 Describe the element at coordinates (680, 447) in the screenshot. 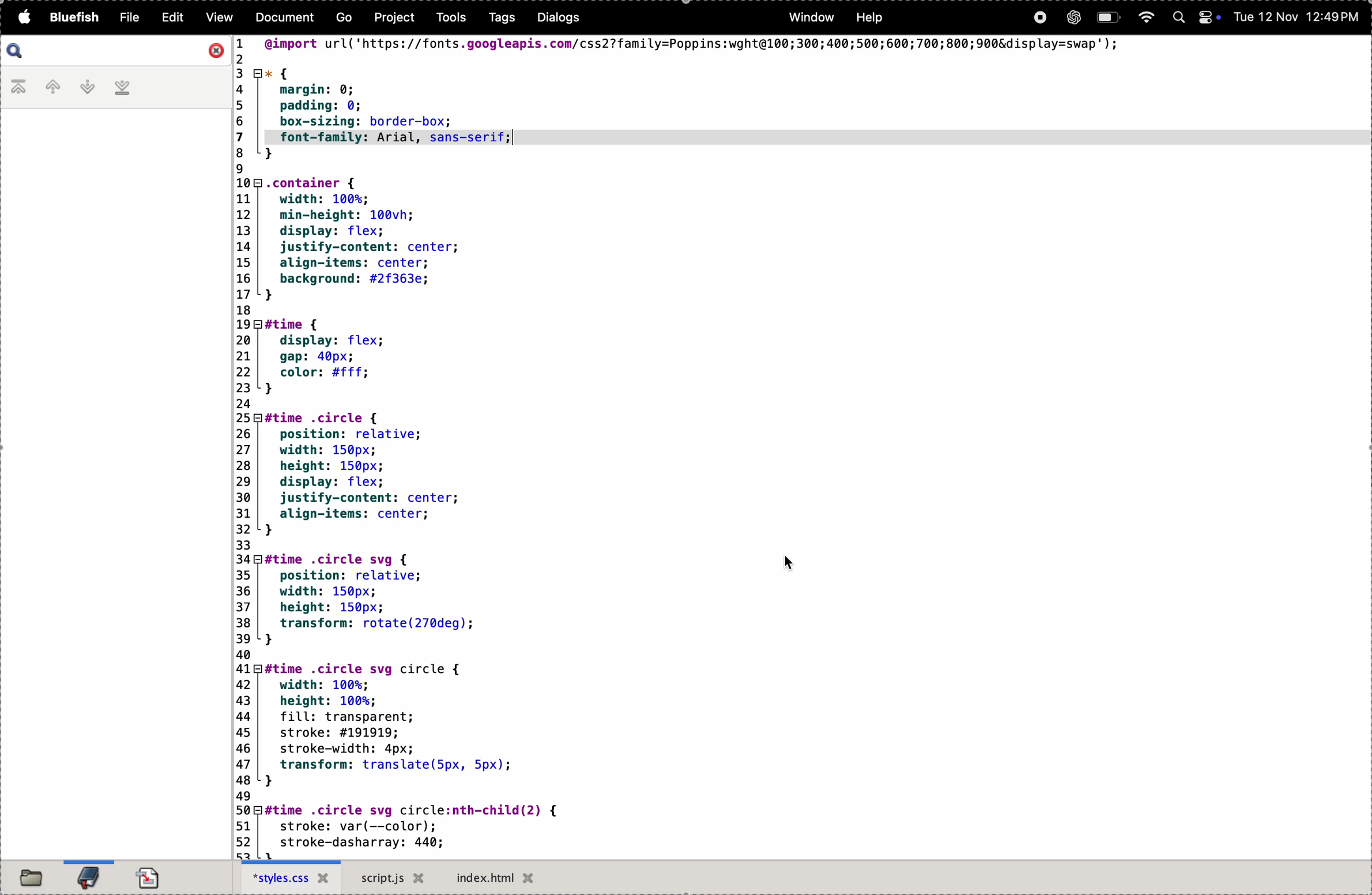

I see `1 @import url('https://fonts.googleapis.com/css2?family=Poppins:wght@100;300;400;500;600;700;800;900&display=swap');23 * {4 margin: 0;5 padding: 0;6 box-sizing: border-box;7 font-family: Arial, sans-serif;8 1}910E .container {11 width: 100%;12 min-height: 100vh;13 display: flex;14 justify-content: center;15 align-items: center;16 background: #2f363e;17 *}18198 #time {20 display: flex;21 gap: 40px;22 color: #fff;23 '}24258 #time .circle {26 position: relative;27 width: 150px;28 height: 150px;29 display: flex;30 justify-content: center;31 align-items: center;32}3334 #time .circle svg { [N35 position: relative;36 width: 150px;37 height: 150px;38 transform: rotate(270deg);39}40418 #time .circle svg circle {42 width: 100%;43 height: 100%;44 fill: transparent;45 stroke: #191919;46 stroke-width: 4px;47 transform: translate(5px, 5px);48 L}4950 #time .circle svg circle:nth-child(2) {51 stroke: var(--color);52 stroke-dasharray: 440;= 1` at that location.